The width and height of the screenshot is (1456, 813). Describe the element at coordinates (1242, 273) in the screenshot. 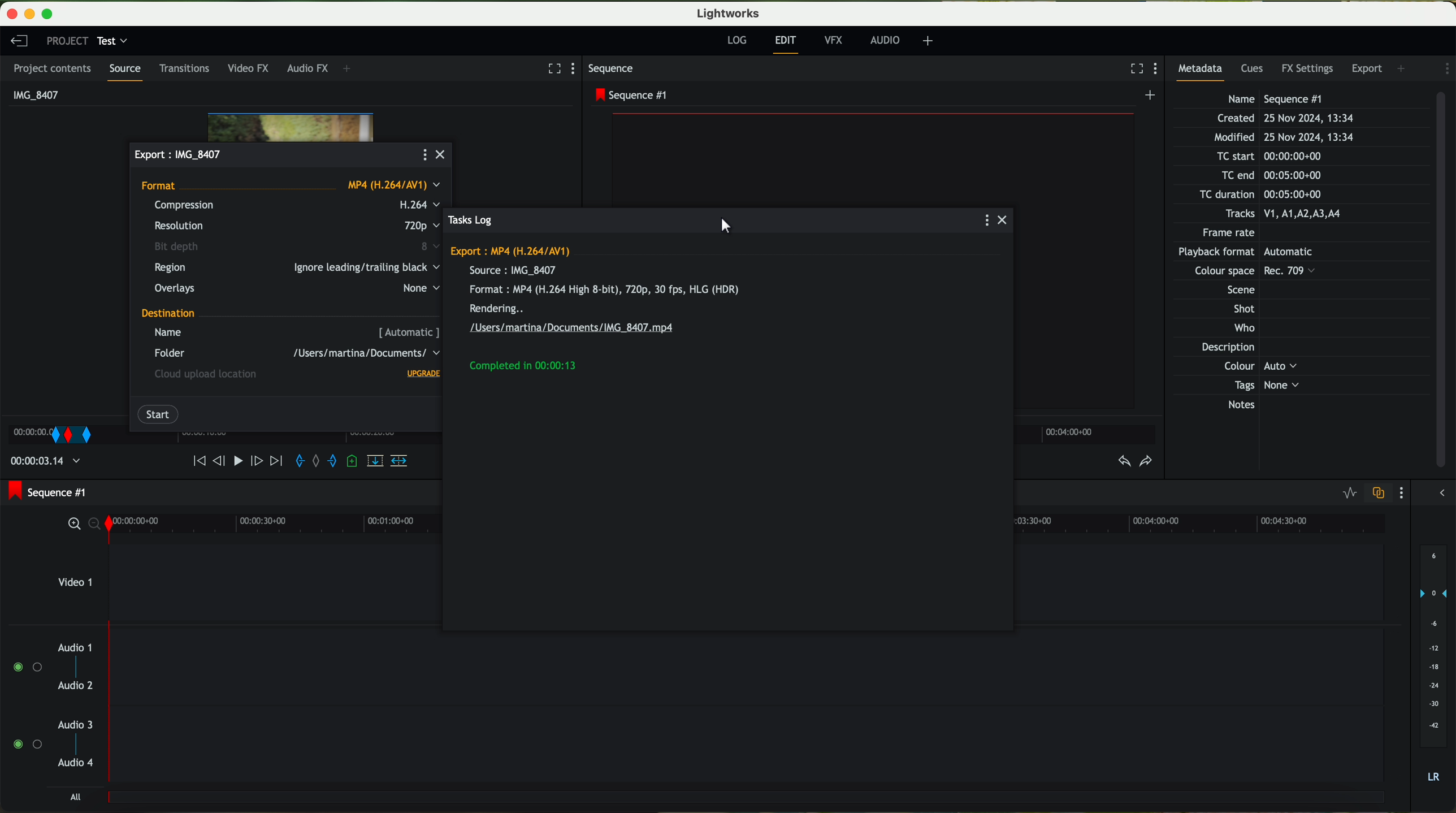

I see `` at that location.